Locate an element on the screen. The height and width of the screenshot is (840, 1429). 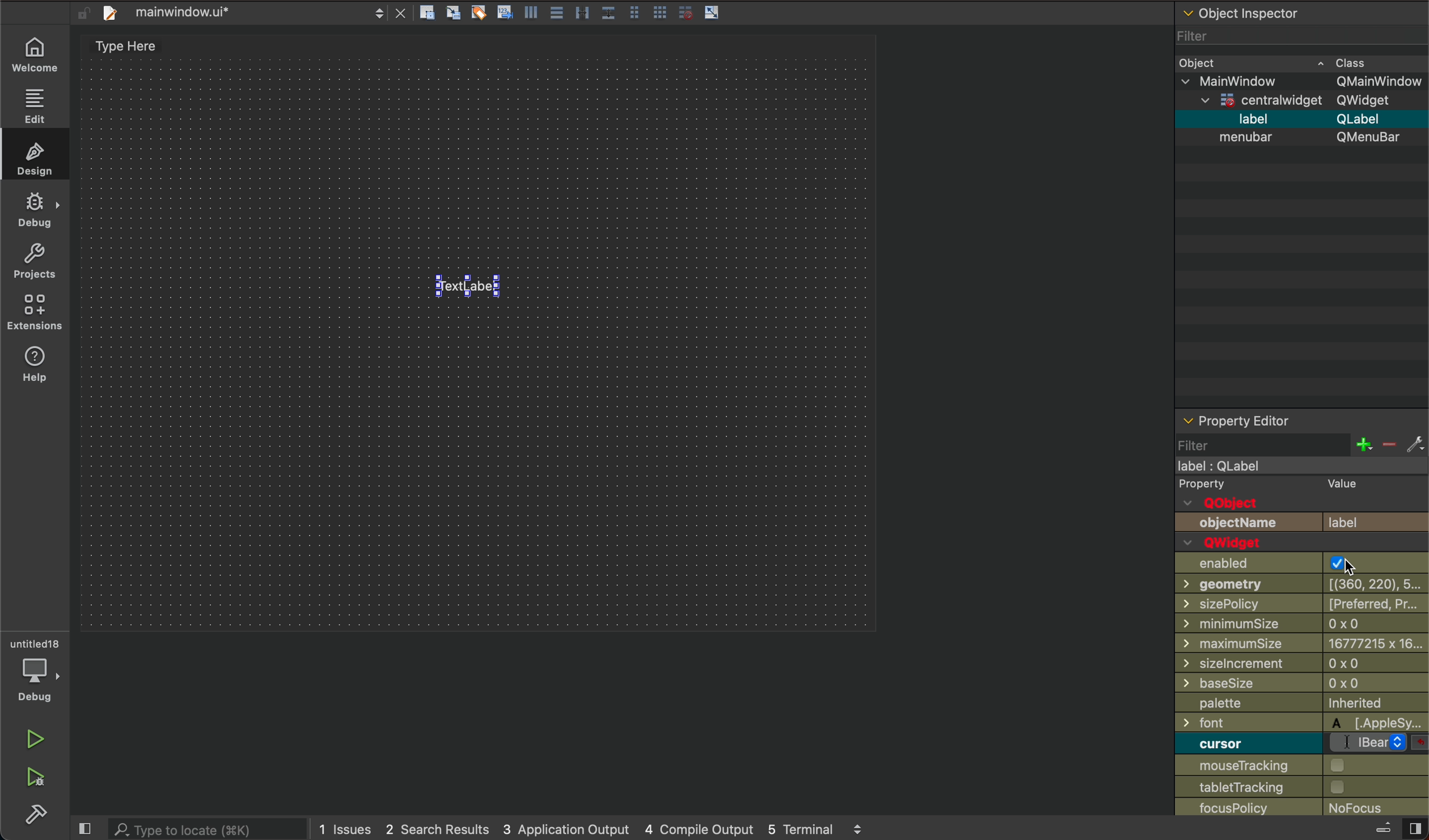
Filter is located at coordinates (1197, 35).